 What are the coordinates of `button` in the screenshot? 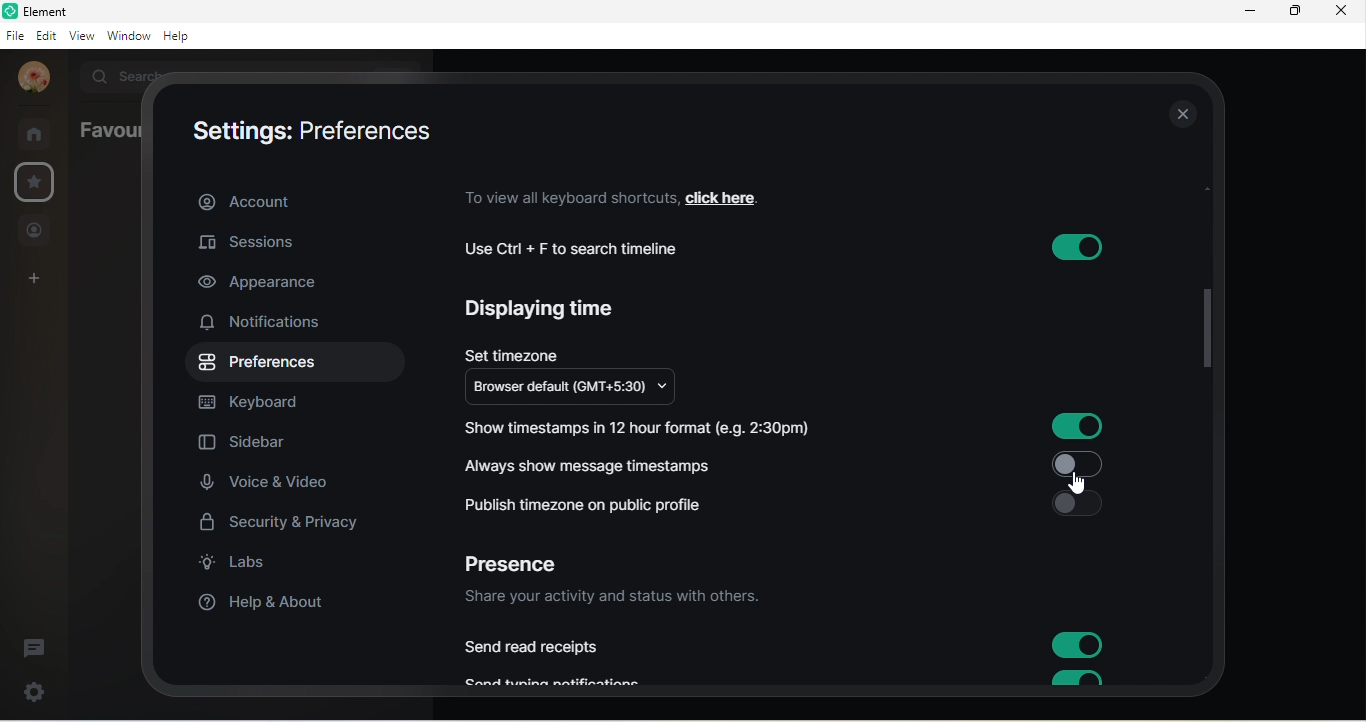 It's located at (1073, 247).